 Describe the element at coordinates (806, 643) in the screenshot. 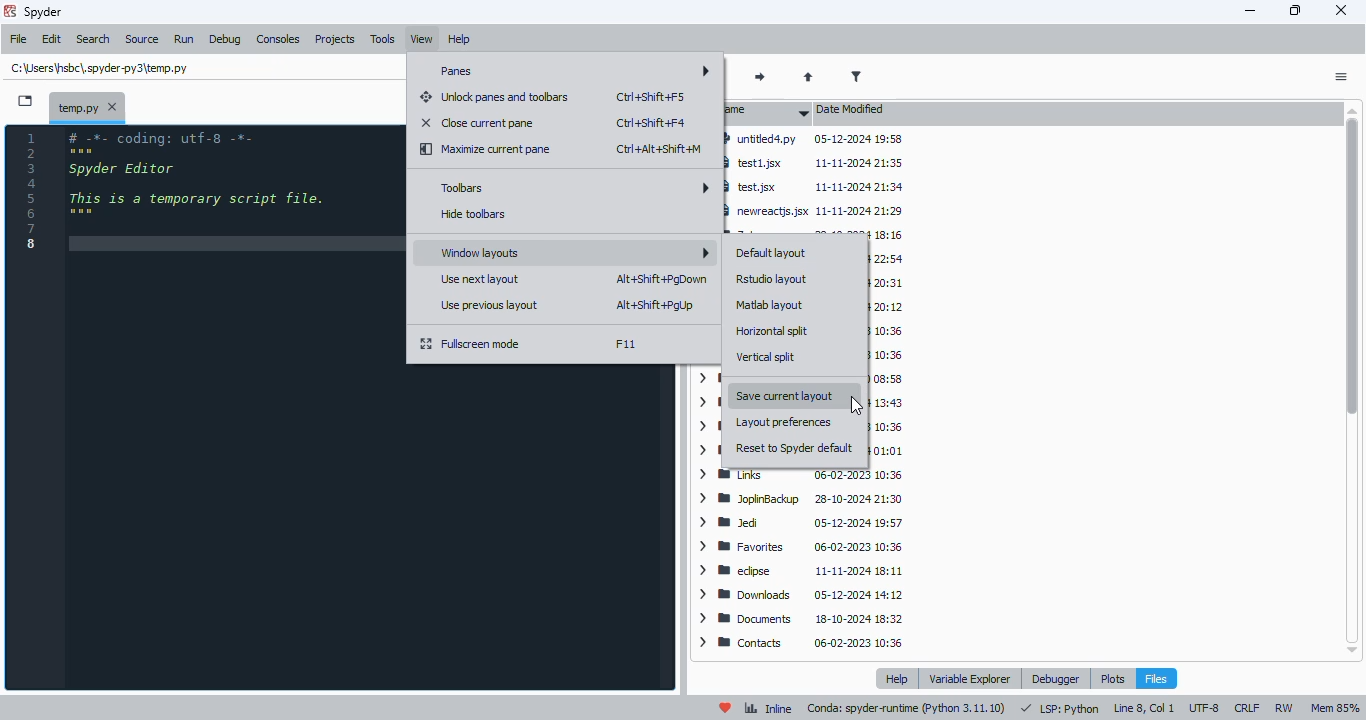

I see `contacts` at that location.